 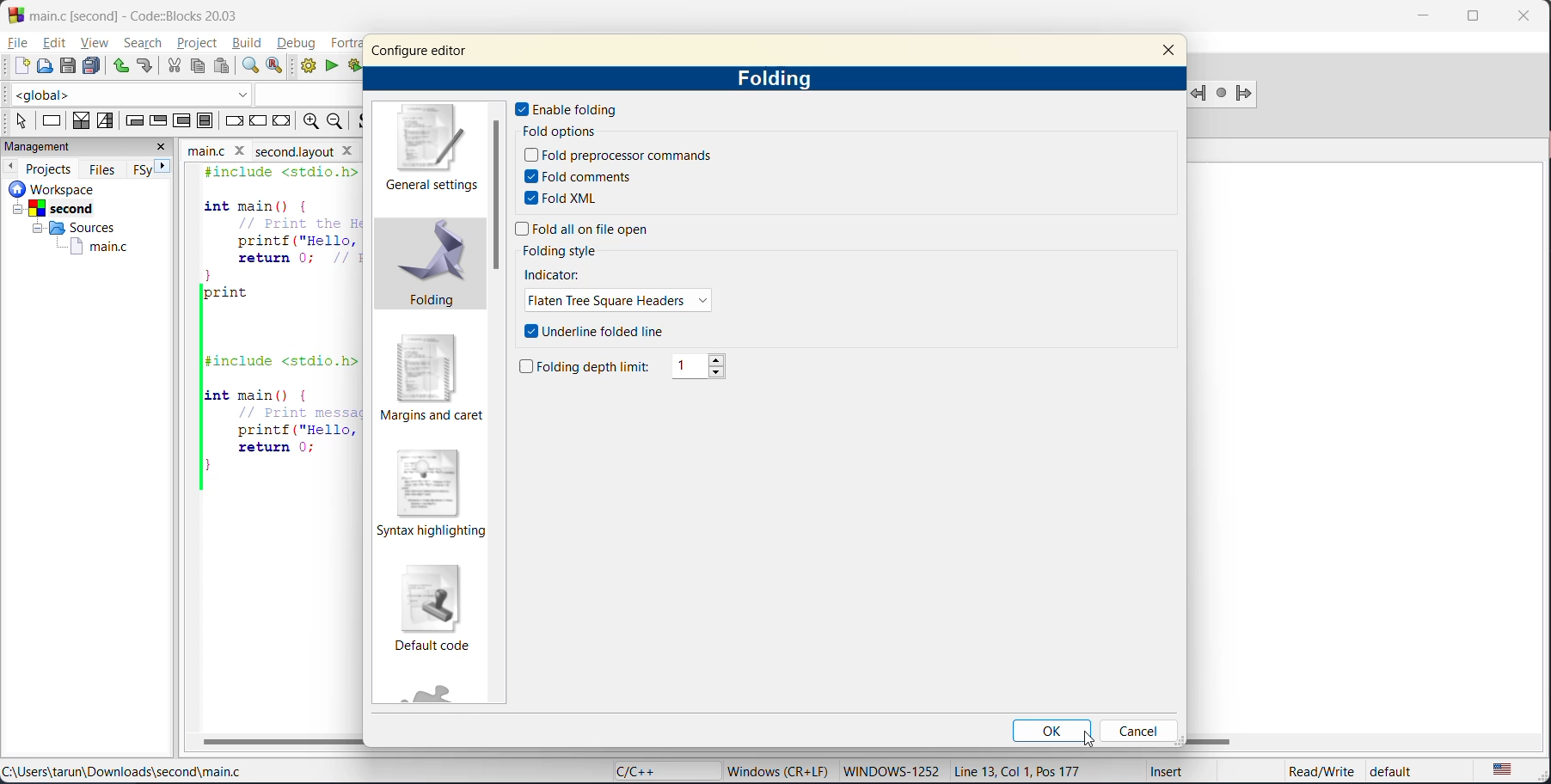 I want to click on build, so click(x=249, y=44).